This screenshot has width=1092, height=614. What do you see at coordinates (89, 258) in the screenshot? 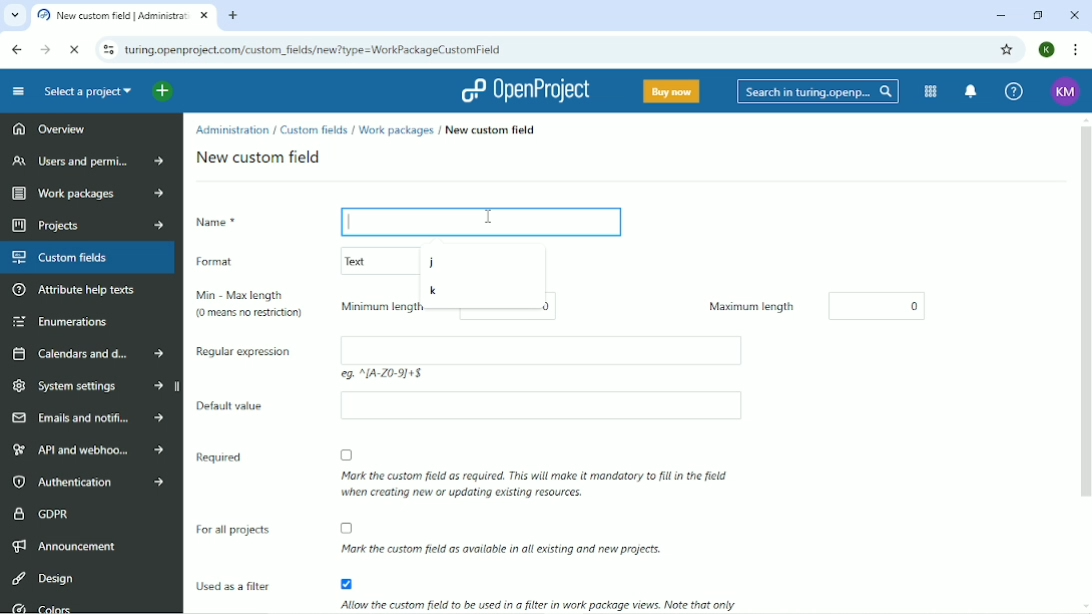
I see `Custom fields` at bounding box center [89, 258].